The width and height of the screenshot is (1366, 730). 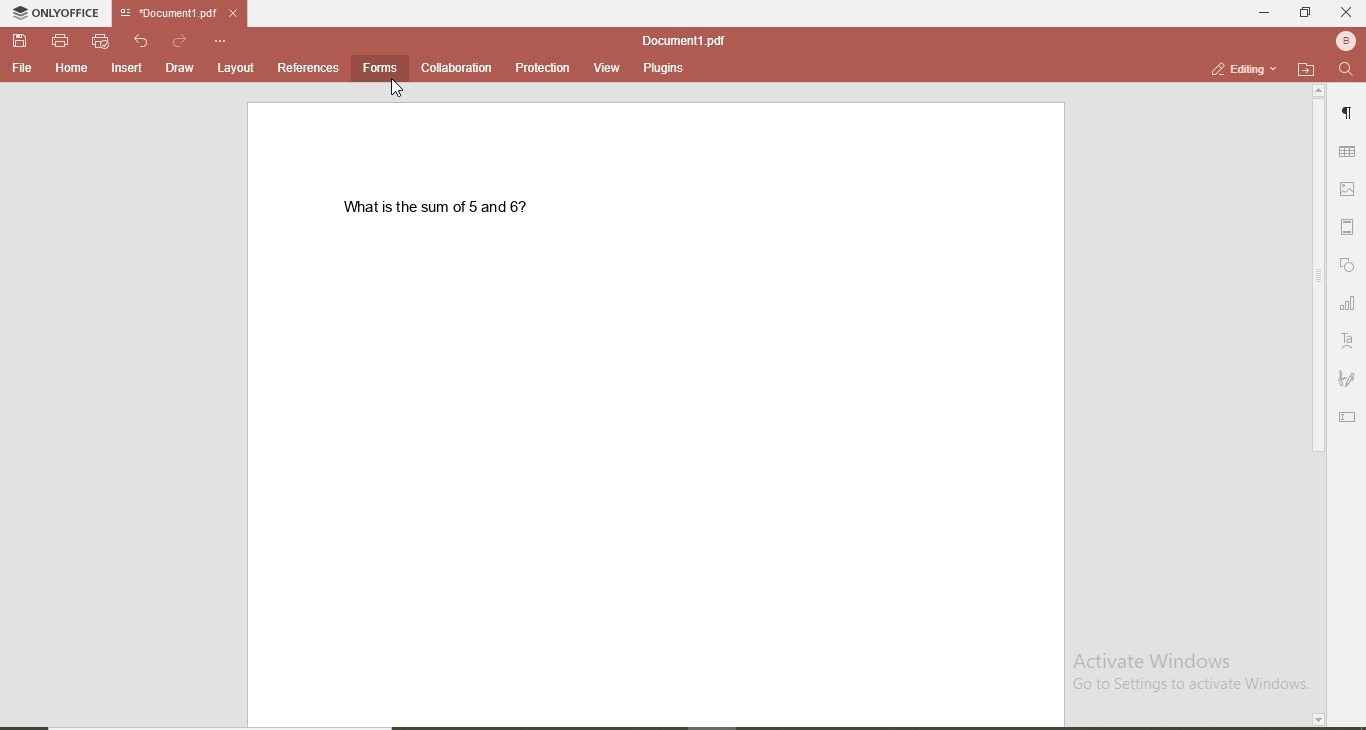 I want to click on edit text, so click(x=1347, y=418).